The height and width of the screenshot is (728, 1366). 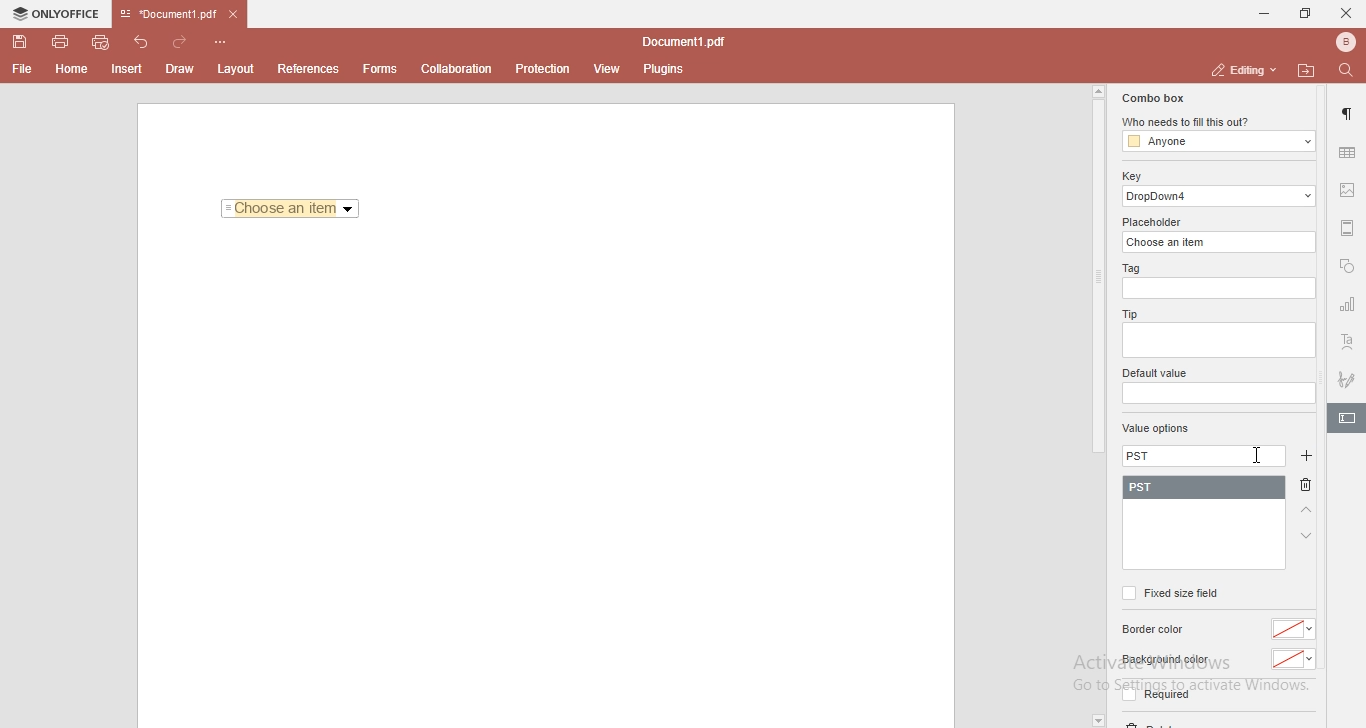 What do you see at coordinates (1310, 487) in the screenshot?
I see `delete` at bounding box center [1310, 487].